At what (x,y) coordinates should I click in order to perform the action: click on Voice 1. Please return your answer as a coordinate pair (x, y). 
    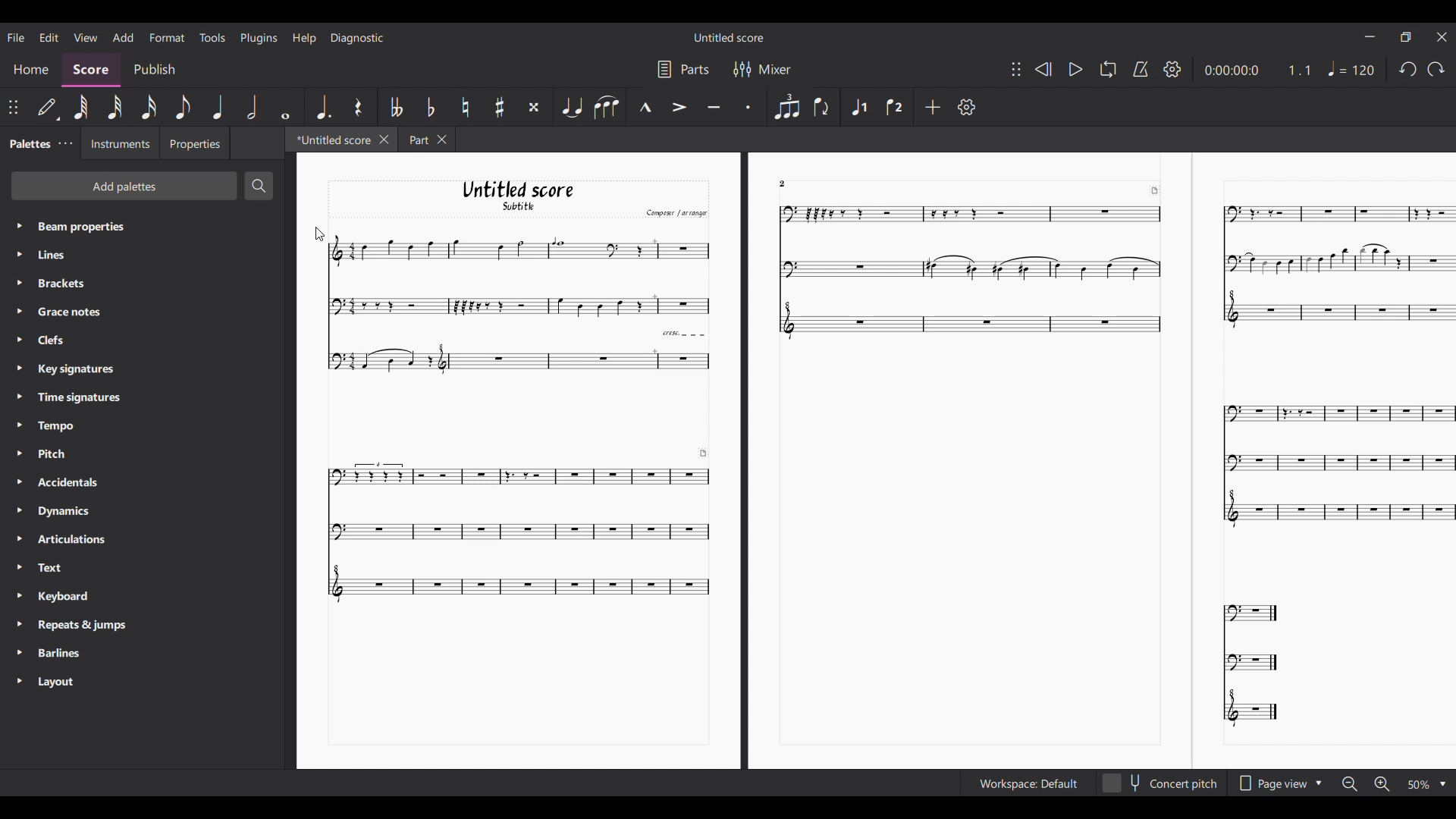
    Looking at the image, I should click on (859, 105).